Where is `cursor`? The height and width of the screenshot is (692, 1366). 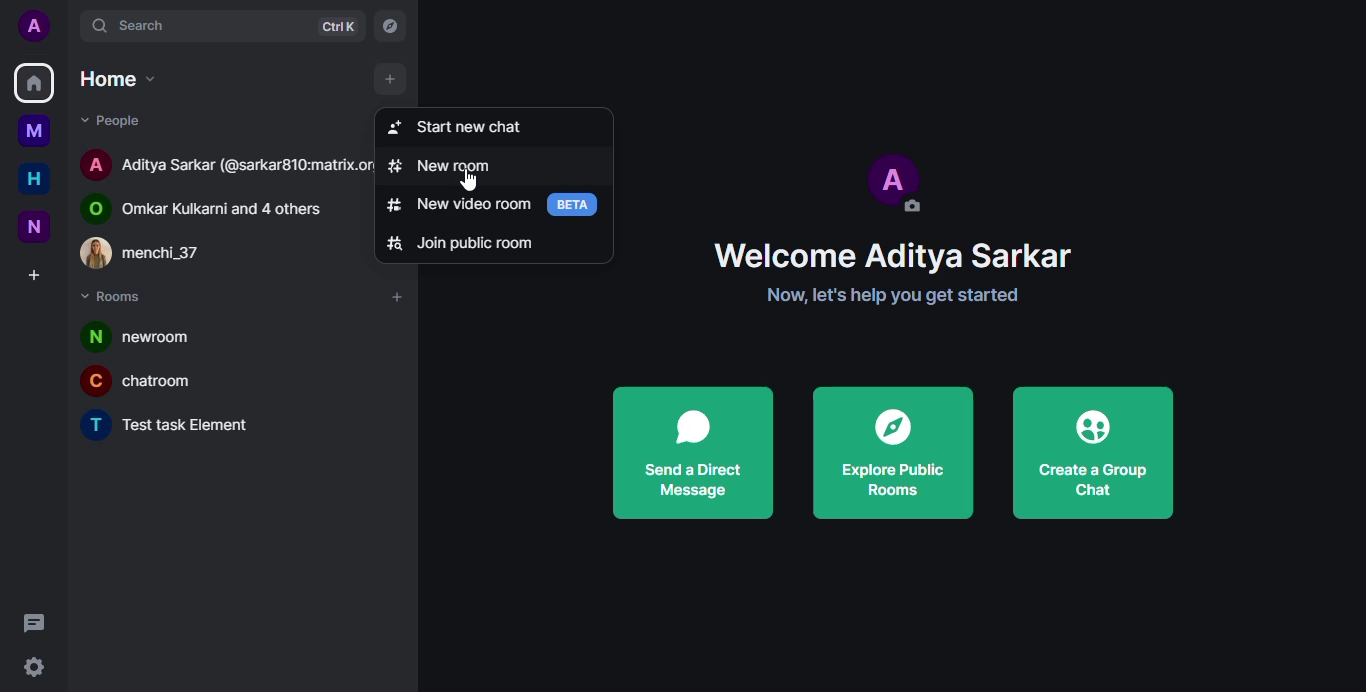 cursor is located at coordinates (379, 82).